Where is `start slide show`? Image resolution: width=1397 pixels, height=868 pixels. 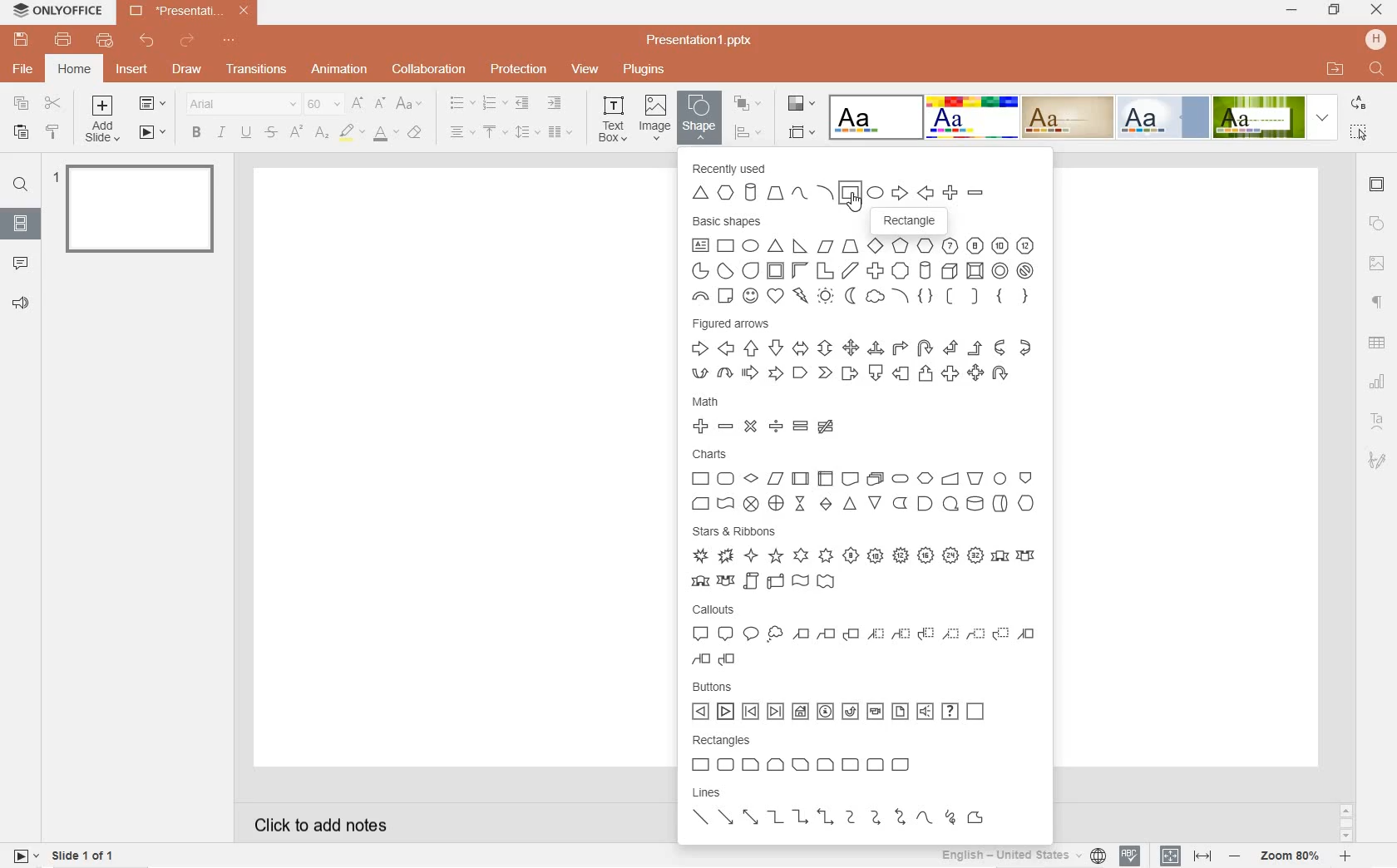
start slide show is located at coordinates (26, 855).